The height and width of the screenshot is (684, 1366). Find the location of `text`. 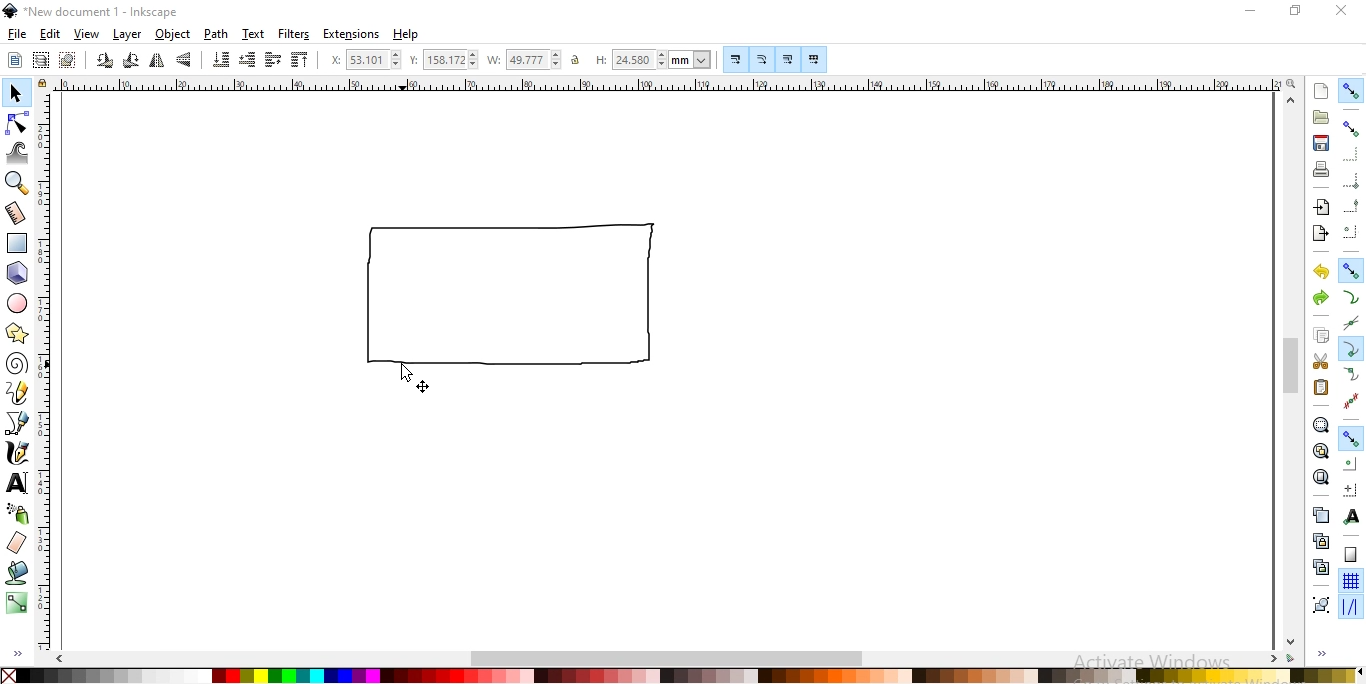

text is located at coordinates (254, 32).